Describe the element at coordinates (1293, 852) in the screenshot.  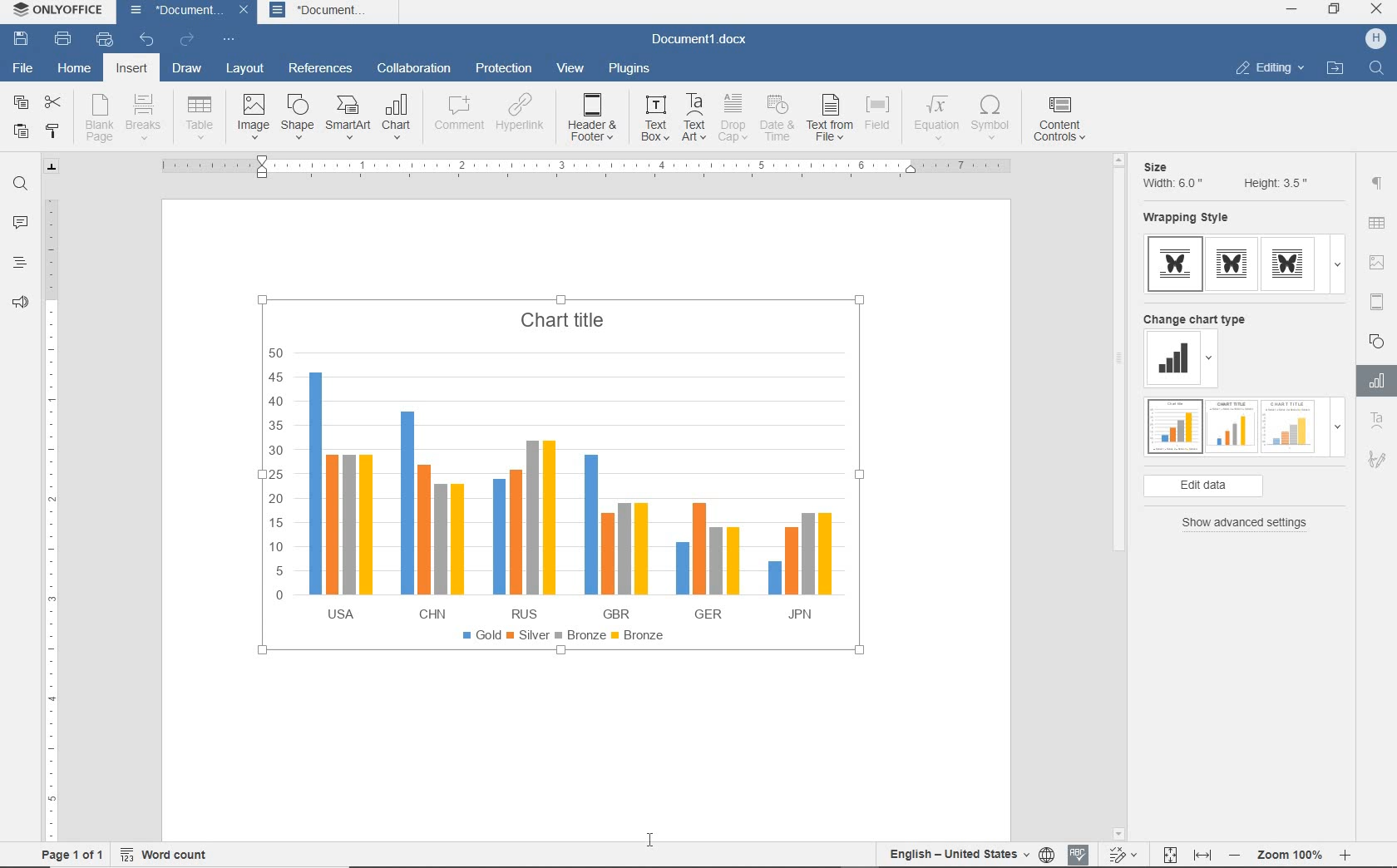
I see `zoom 100%` at that location.